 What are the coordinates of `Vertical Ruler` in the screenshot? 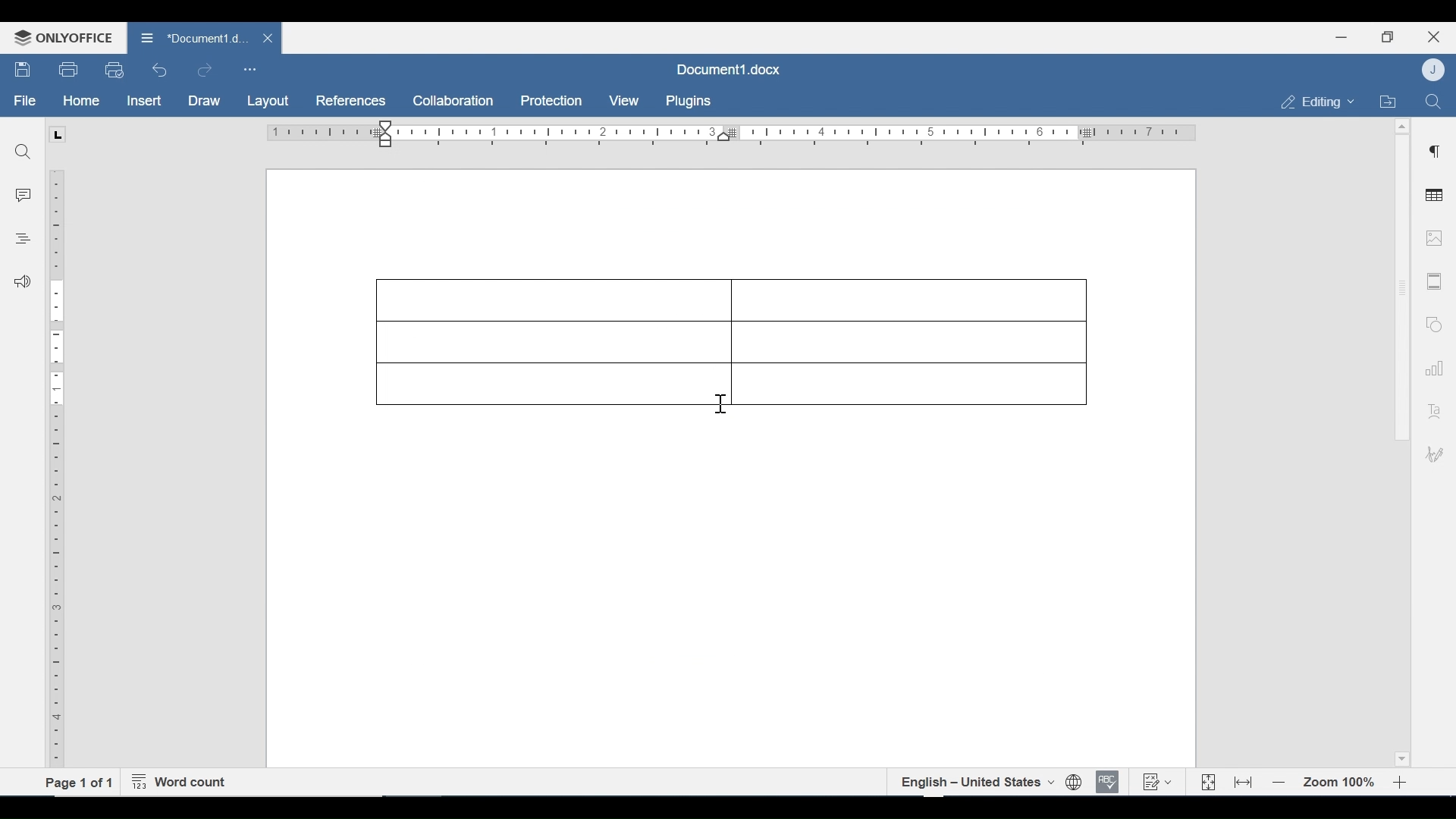 It's located at (57, 460).